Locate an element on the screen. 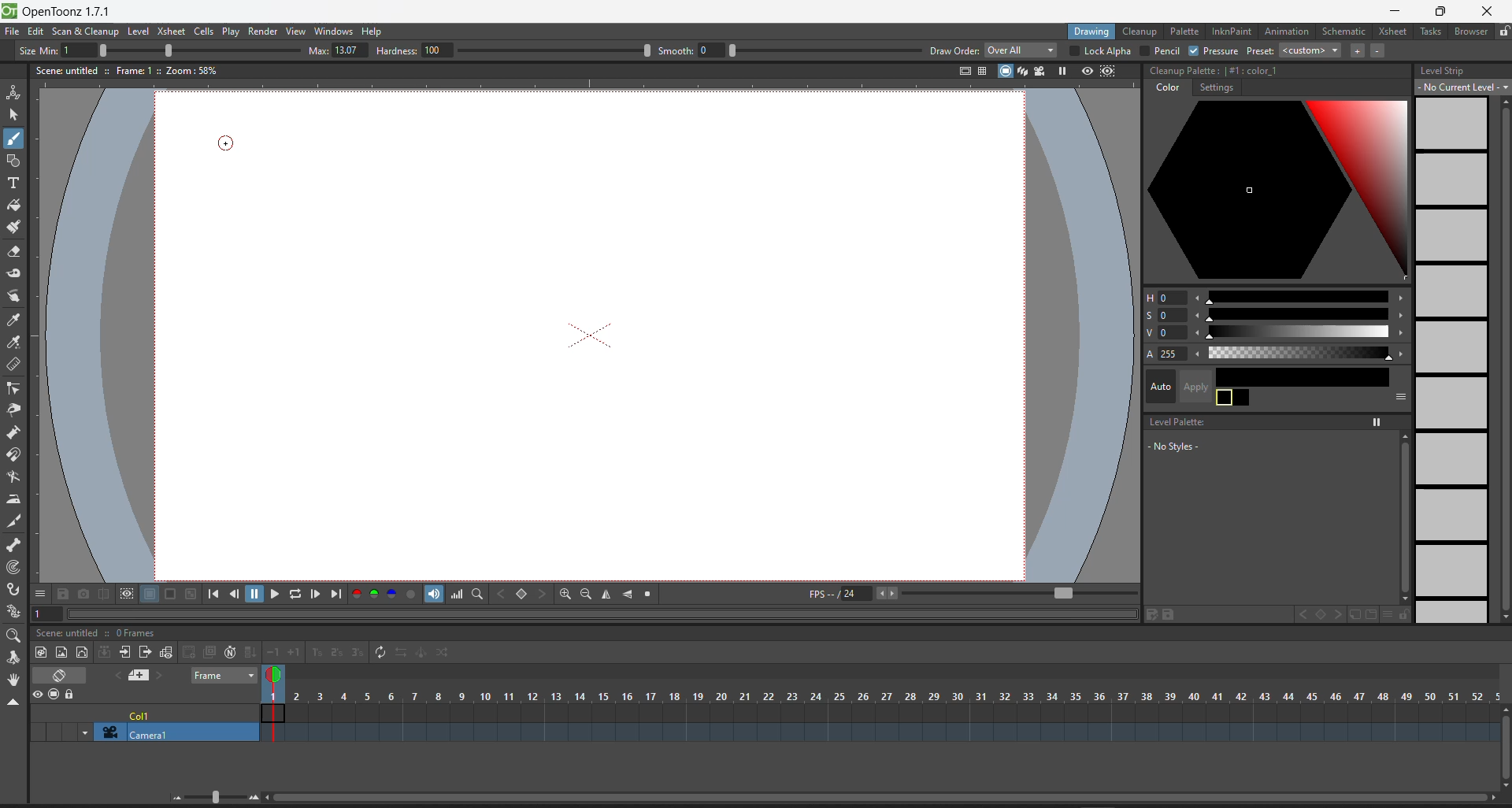  tracker tool is located at coordinates (14, 567).